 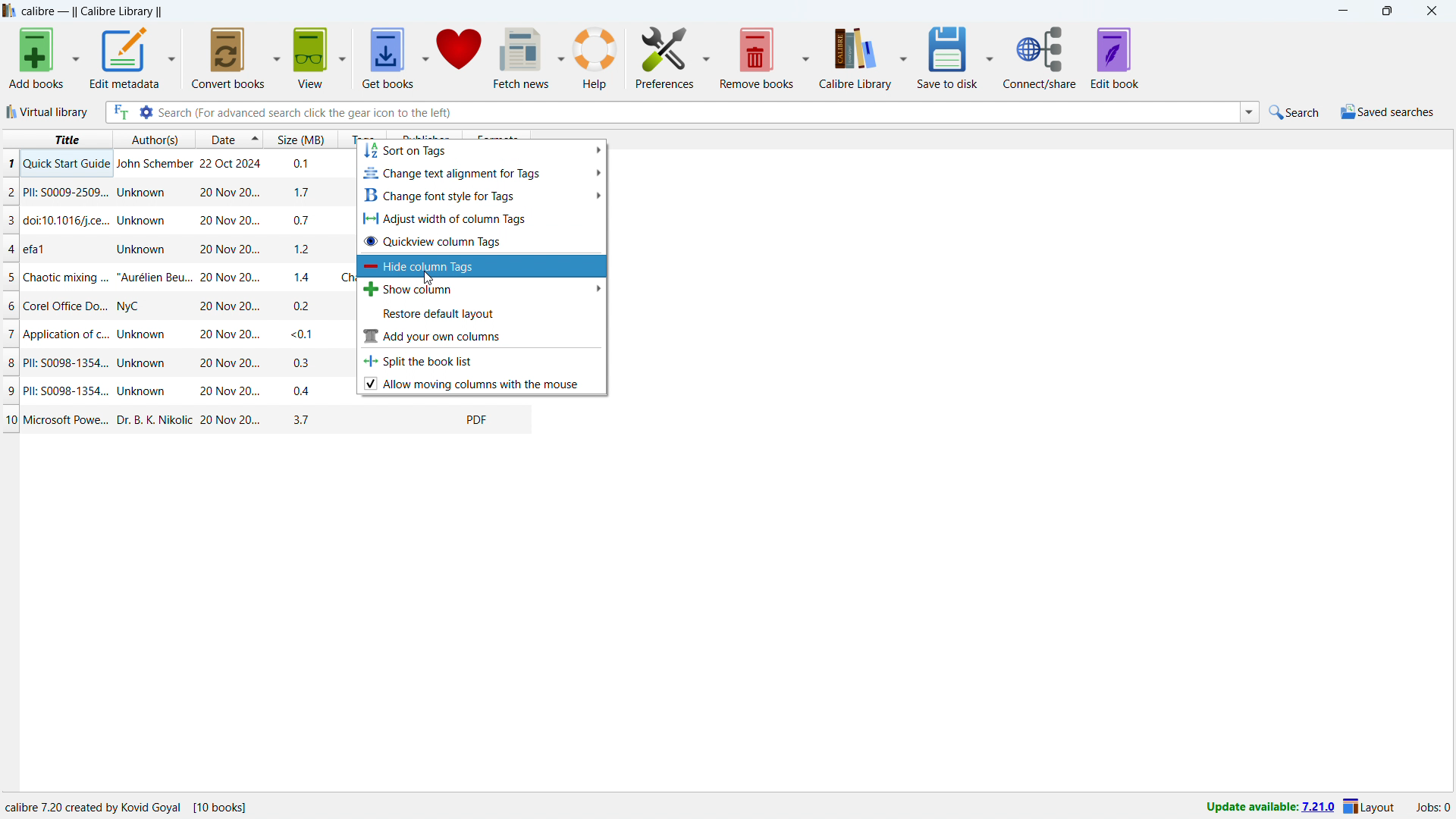 I want to click on add books options, so click(x=77, y=56).